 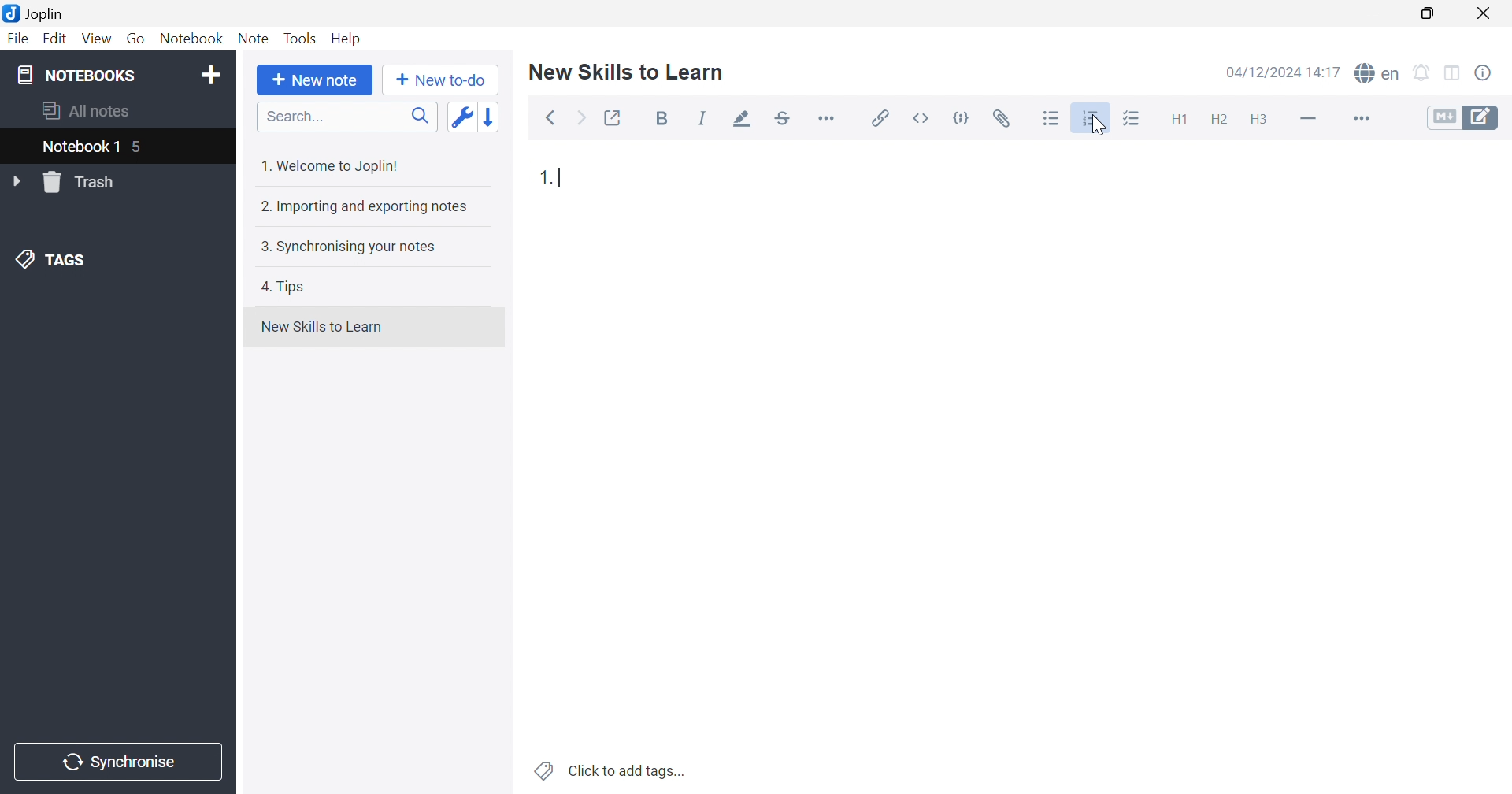 I want to click on TAGS, so click(x=54, y=258).